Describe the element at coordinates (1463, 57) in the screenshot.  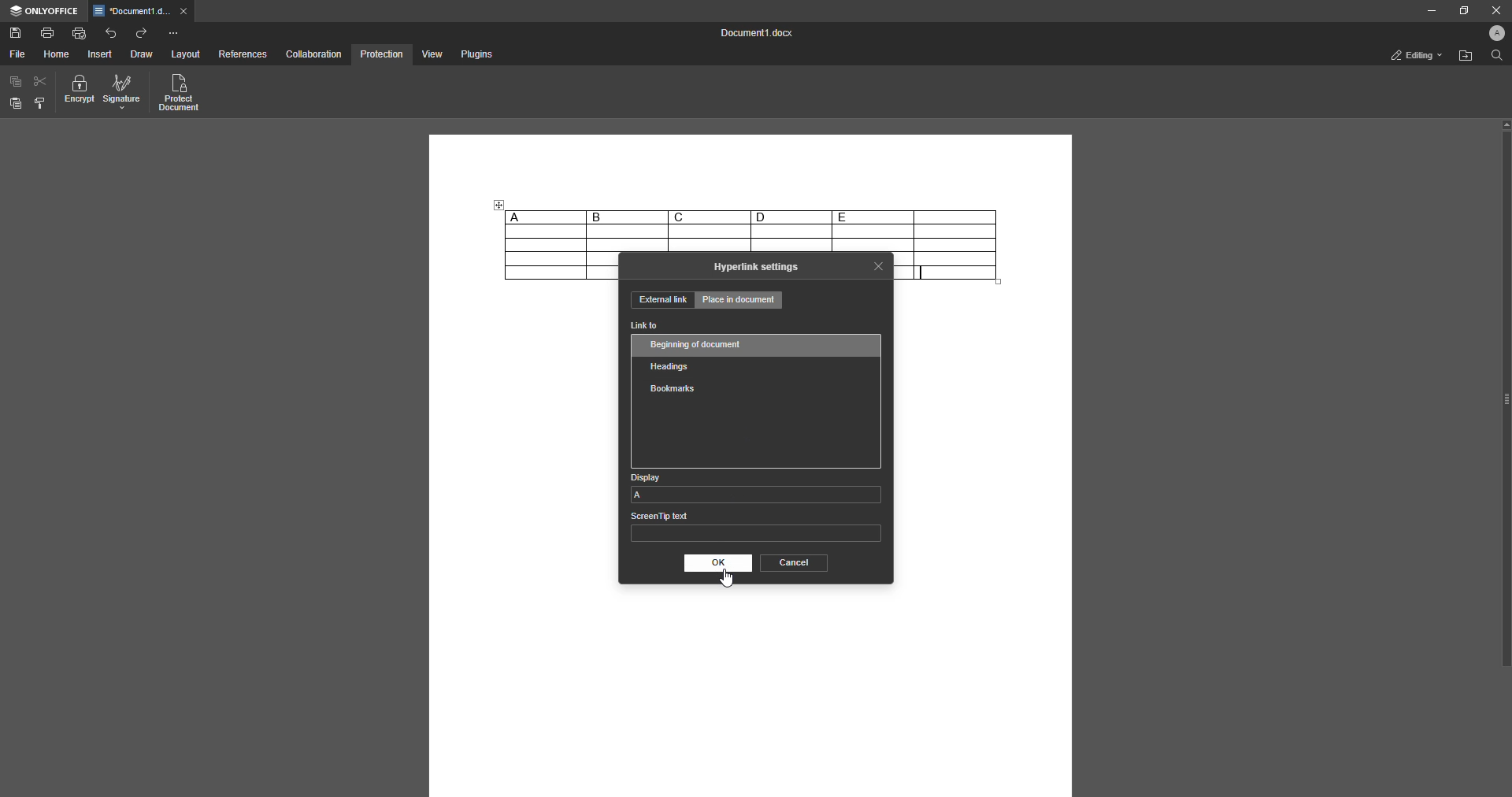
I see `New folder` at that location.